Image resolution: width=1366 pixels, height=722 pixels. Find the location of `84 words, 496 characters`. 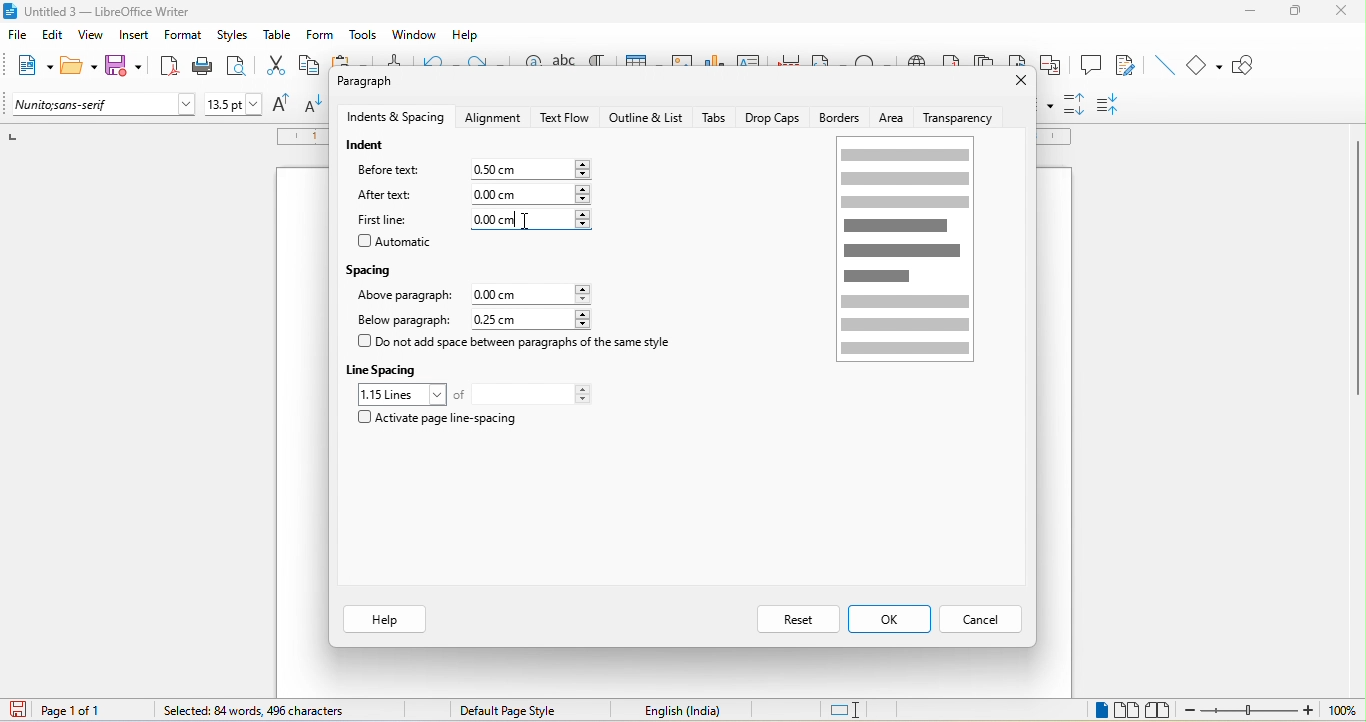

84 words, 496 characters is located at coordinates (251, 712).